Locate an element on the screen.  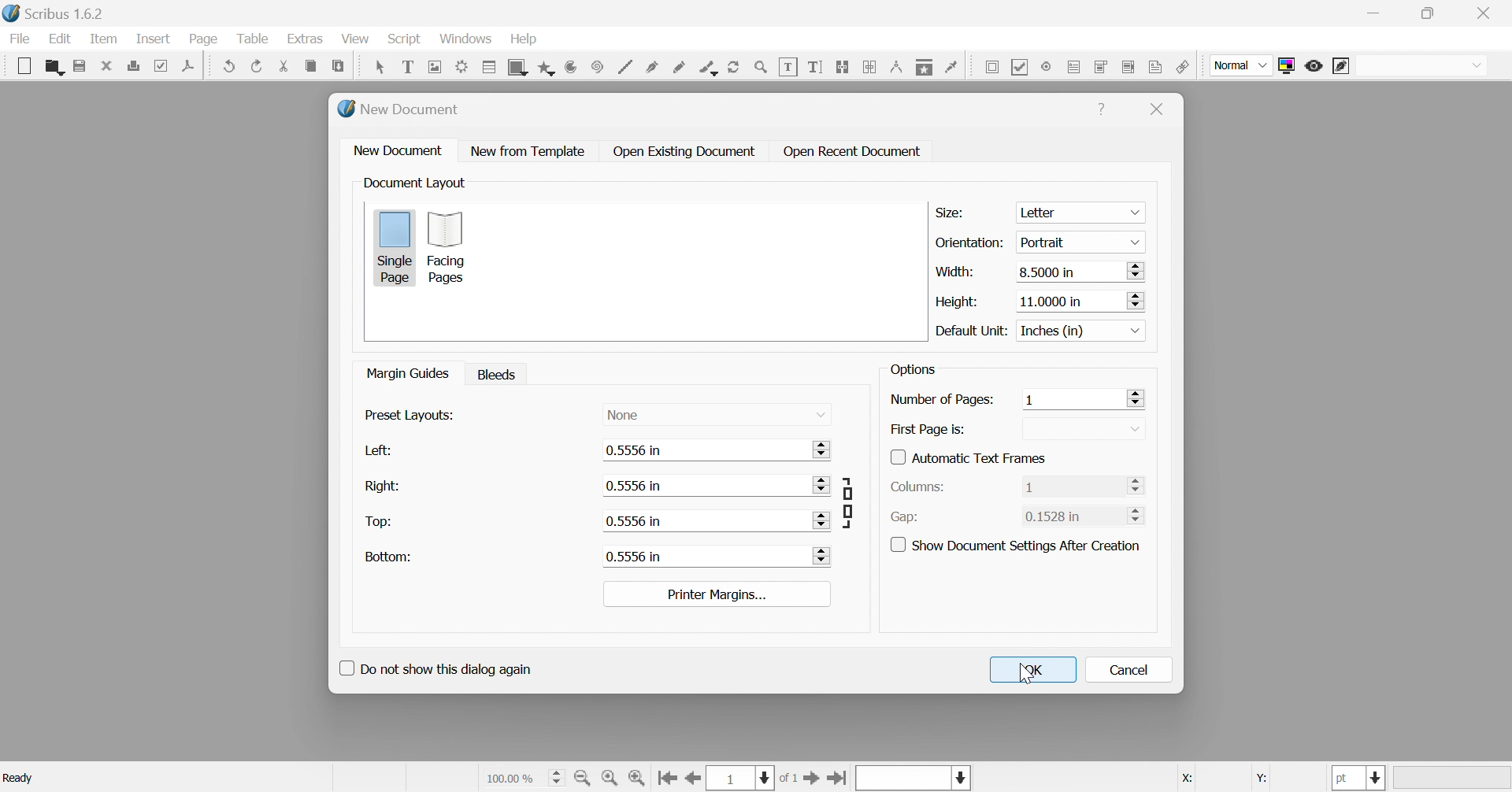
save is located at coordinates (78, 67).